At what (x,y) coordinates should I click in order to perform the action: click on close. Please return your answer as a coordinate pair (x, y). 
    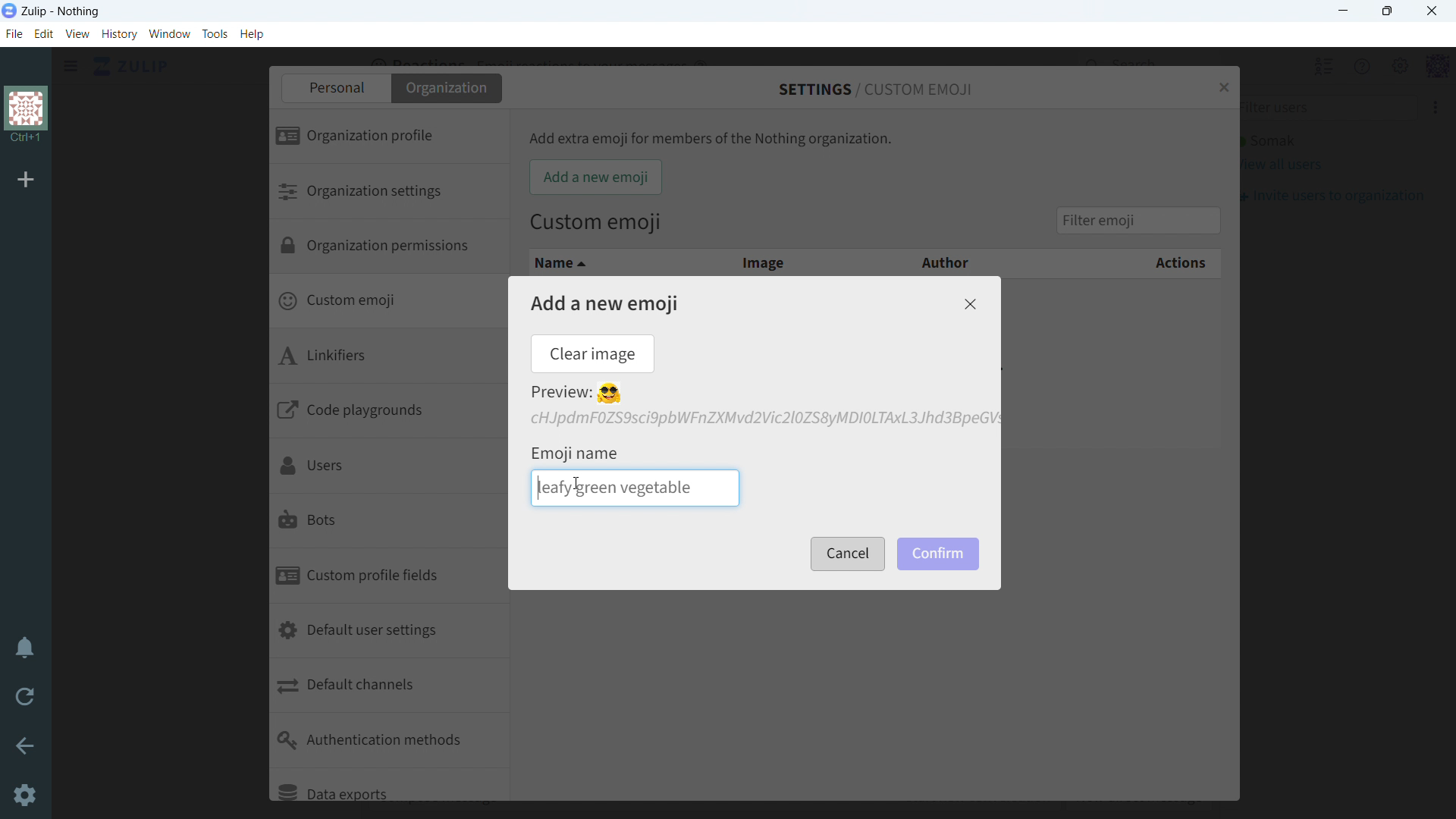
    Looking at the image, I should click on (969, 304).